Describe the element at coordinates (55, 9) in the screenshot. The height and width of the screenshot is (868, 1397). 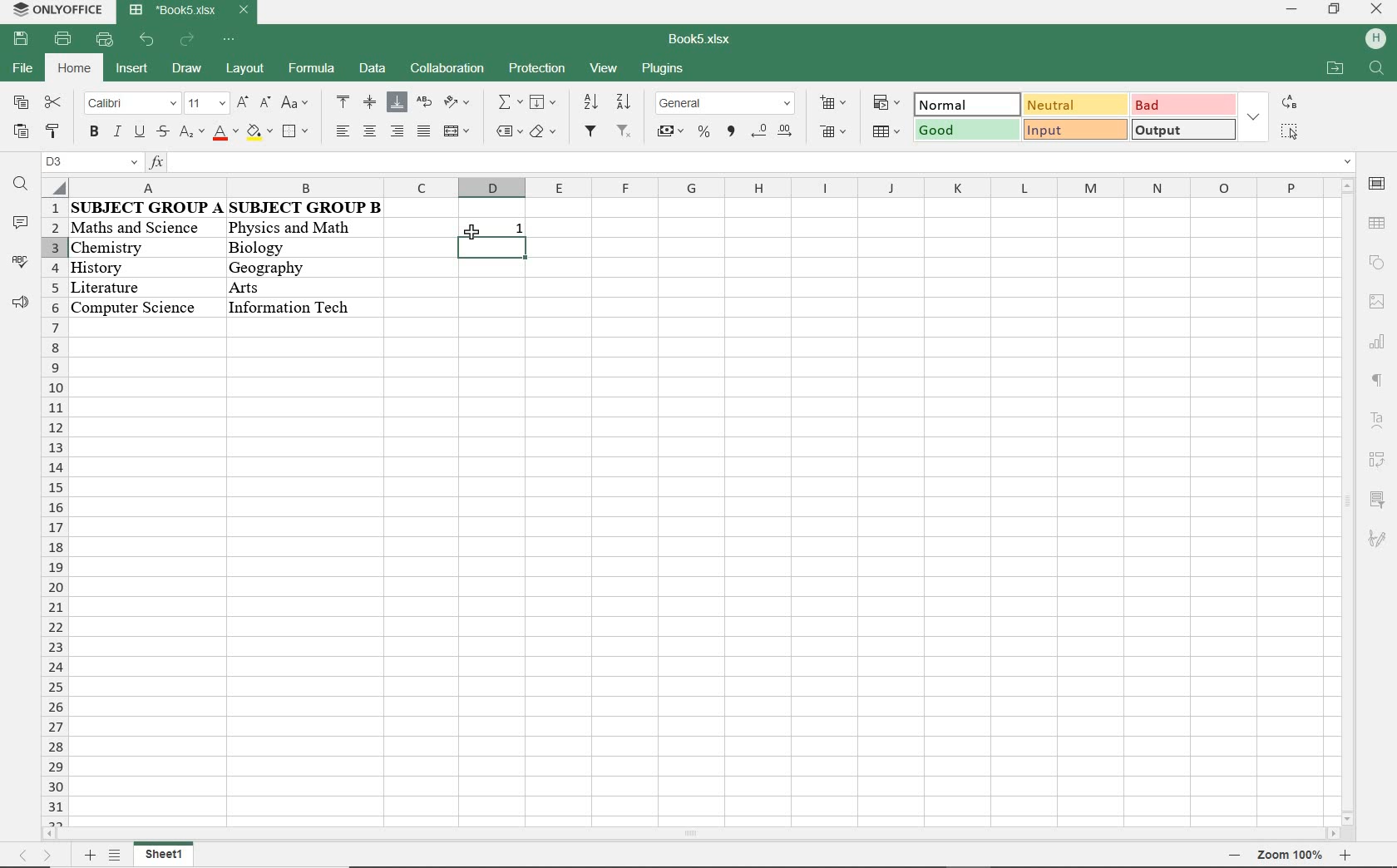
I see `system name` at that location.